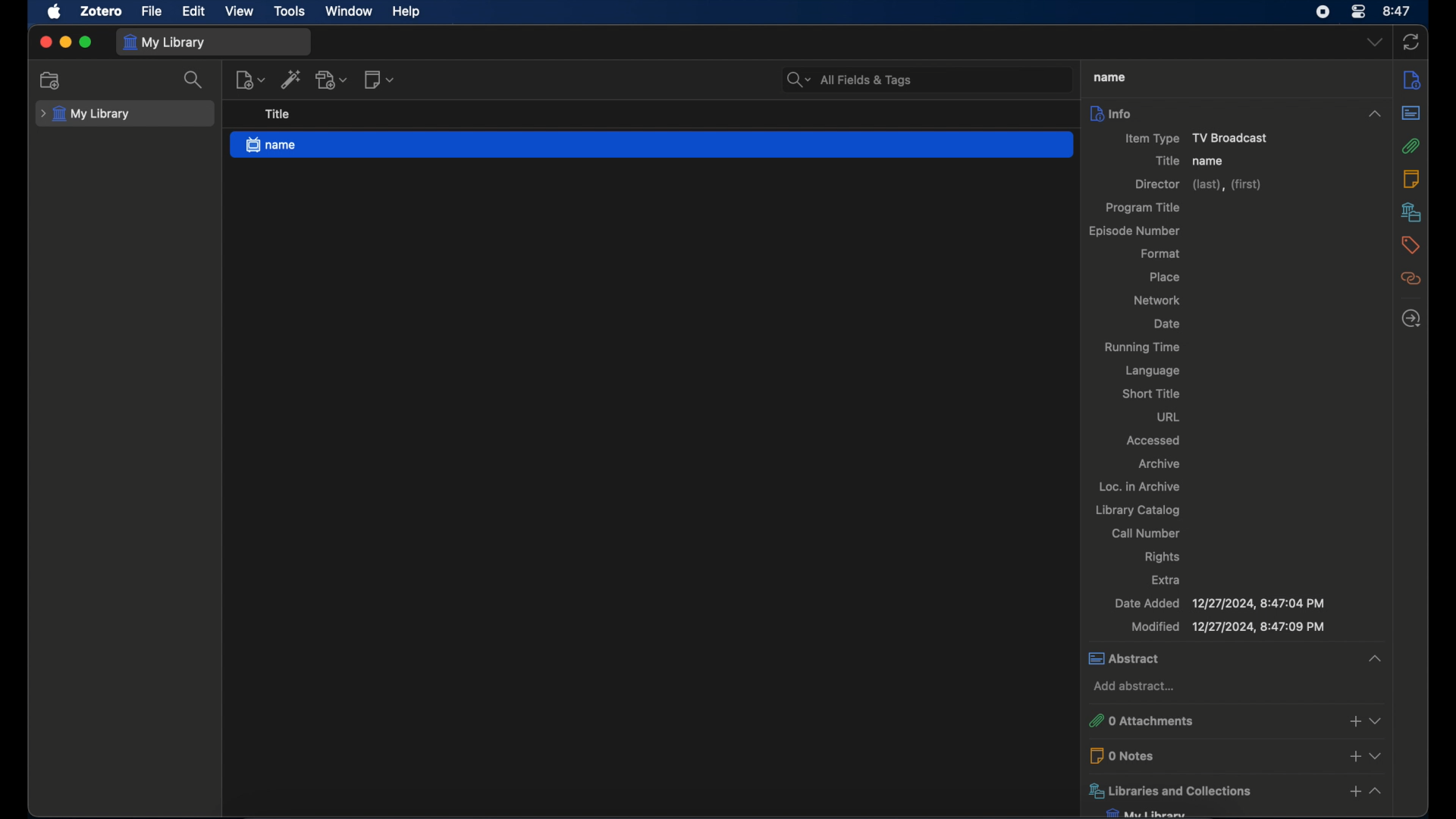  What do you see at coordinates (1414, 147) in the screenshot?
I see `attachments` at bounding box center [1414, 147].